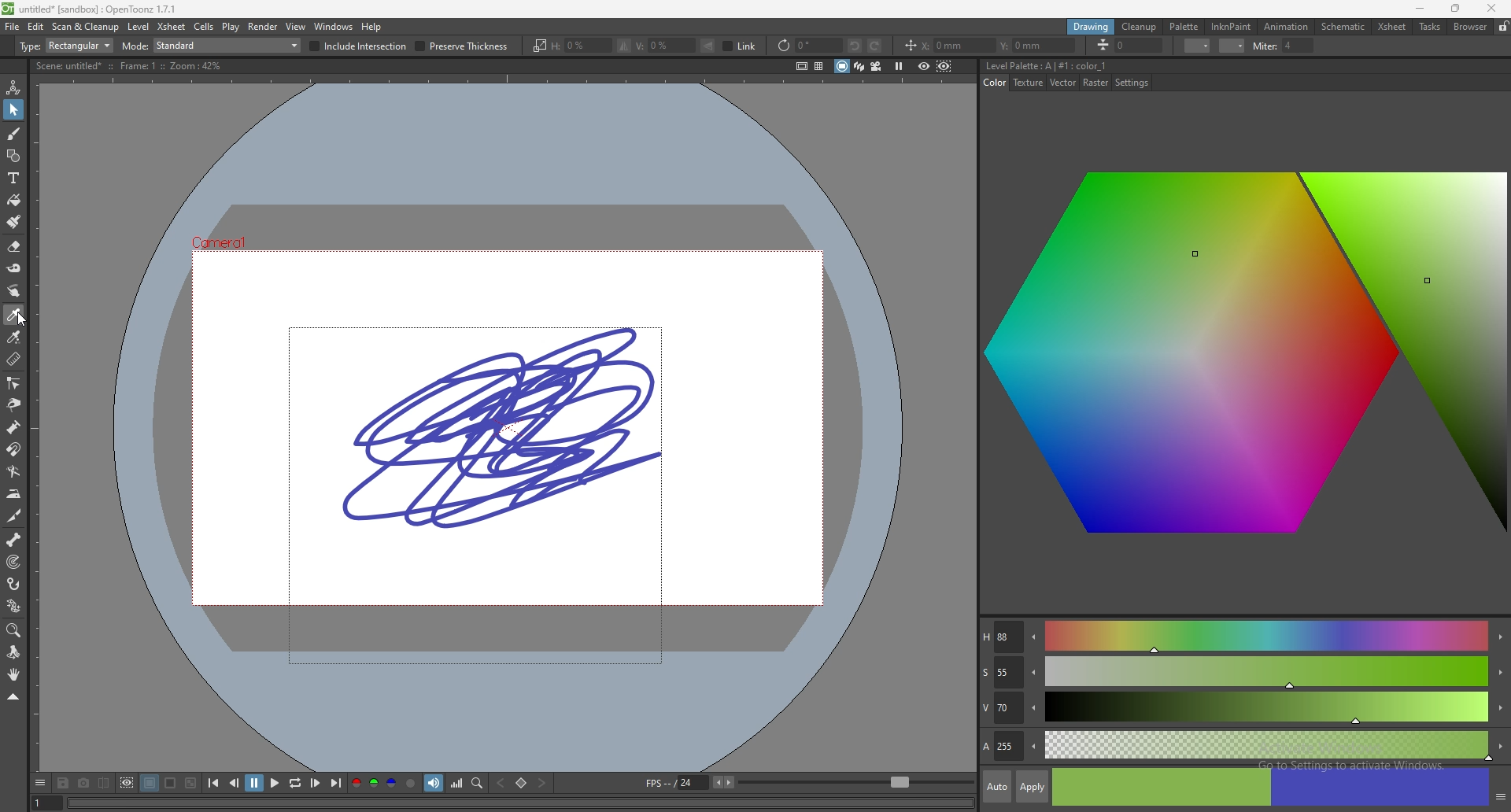  I want to click on schematic, so click(1344, 25).